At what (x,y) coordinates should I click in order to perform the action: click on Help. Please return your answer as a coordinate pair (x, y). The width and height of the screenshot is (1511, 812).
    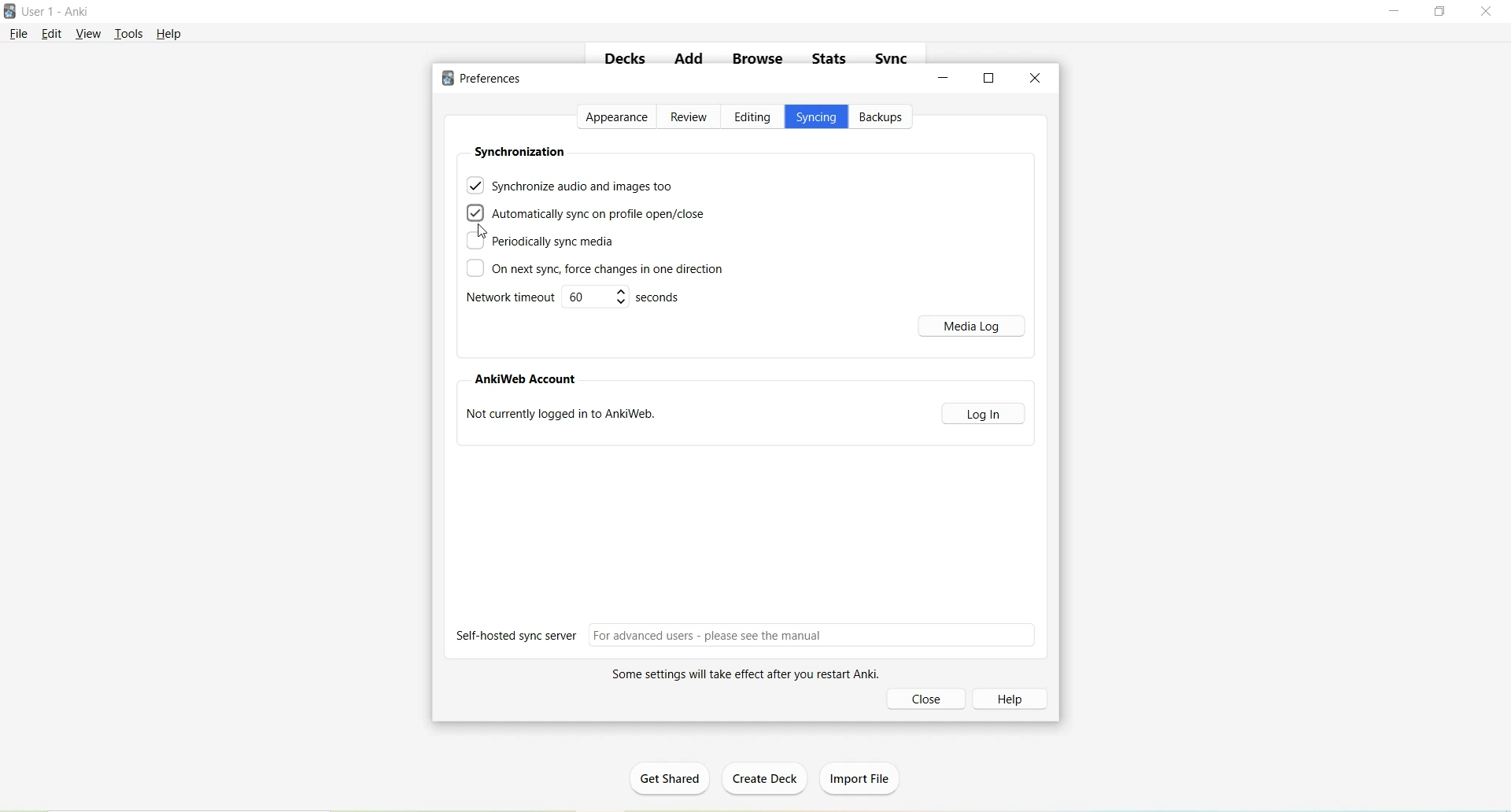
    Looking at the image, I should click on (1015, 698).